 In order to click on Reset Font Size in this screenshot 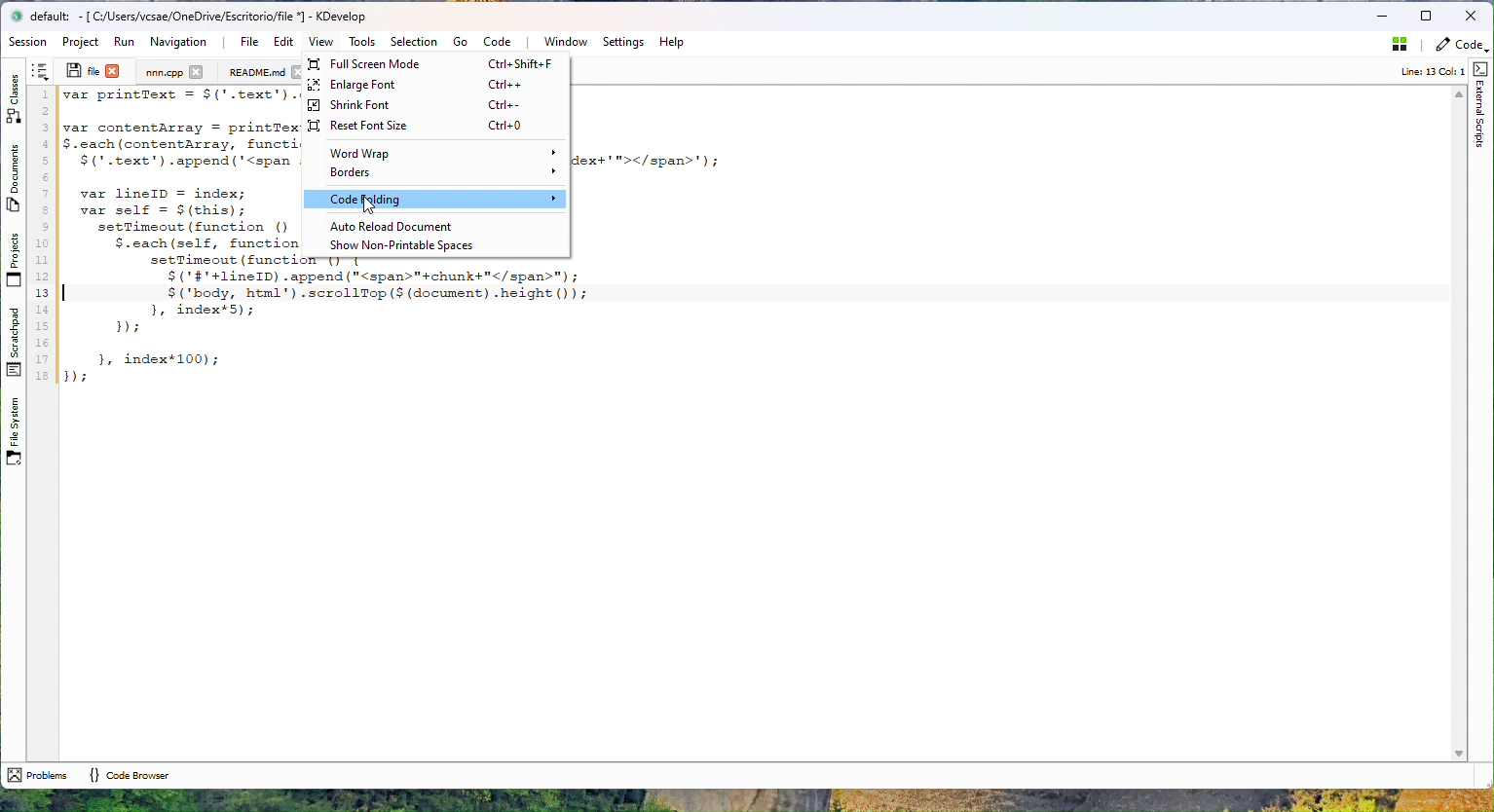, I will do `click(430, 126)`.